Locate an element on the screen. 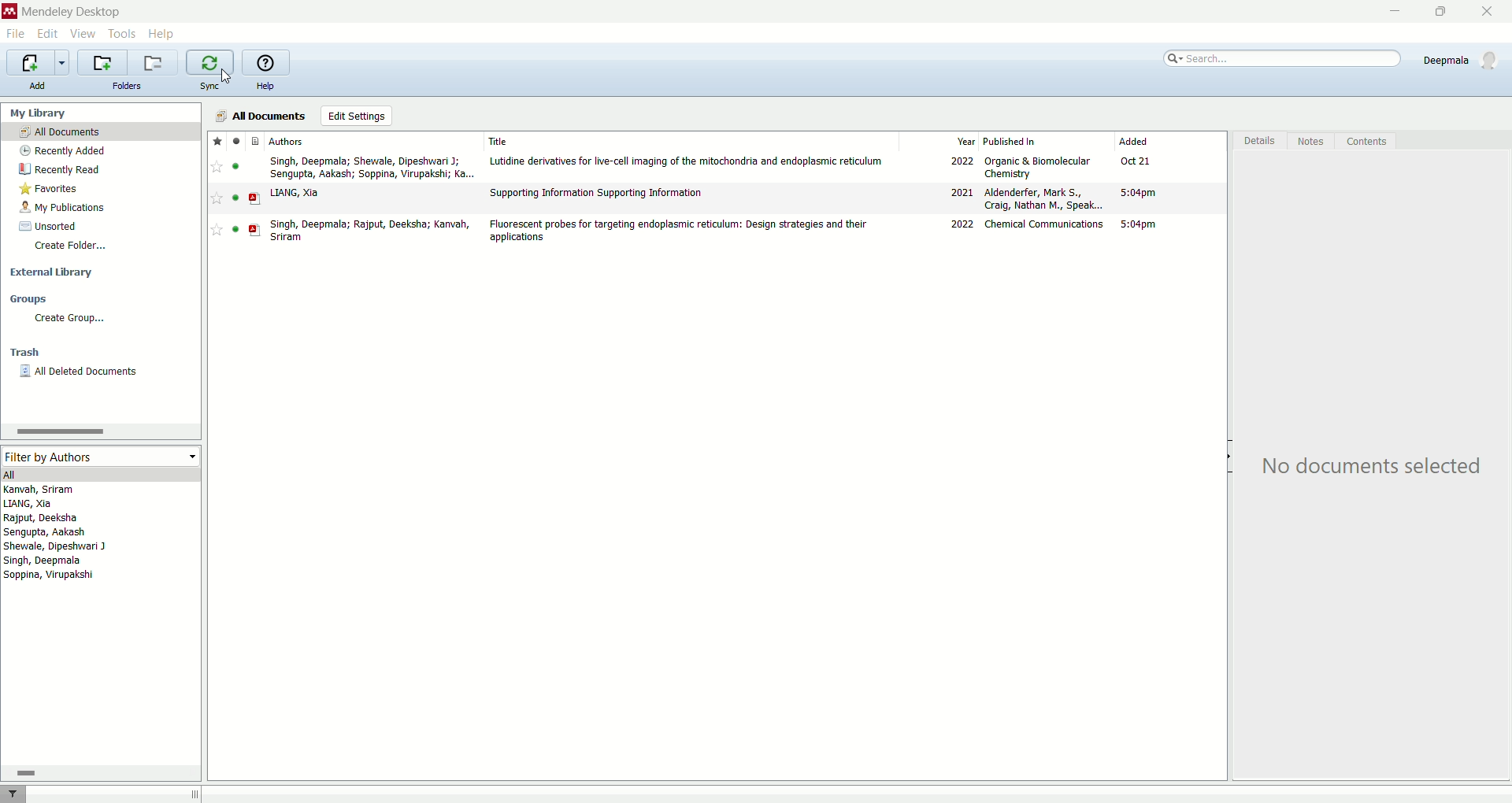 This screenshot has width=1512, height=803. Shewale, Dipeshwari J is located at coordinates (58, 546).